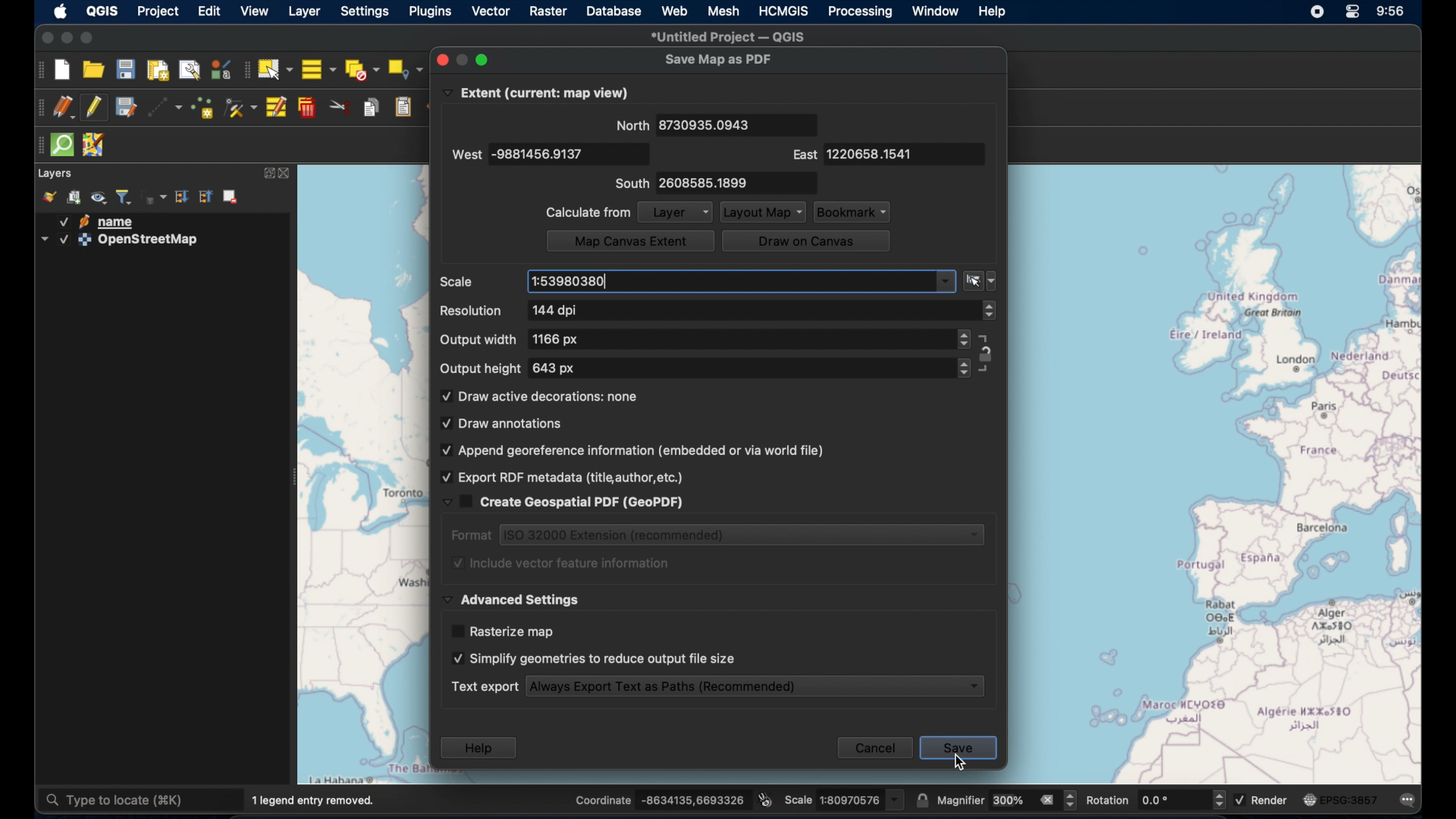  I want to click on cursor, so click(959, 761).